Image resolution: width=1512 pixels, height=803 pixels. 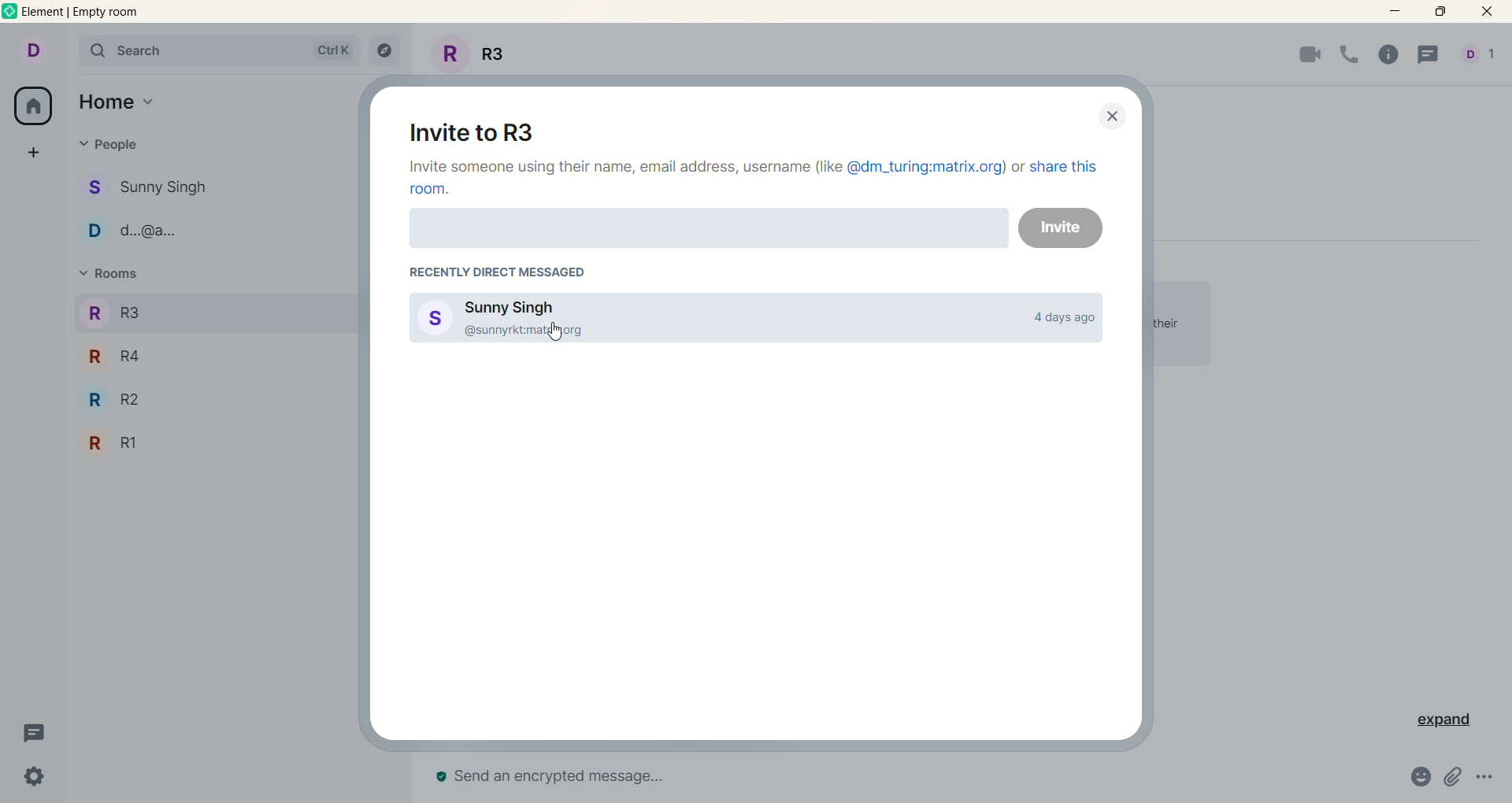 I want to click on recently direct message, so click(x=494, y=269).